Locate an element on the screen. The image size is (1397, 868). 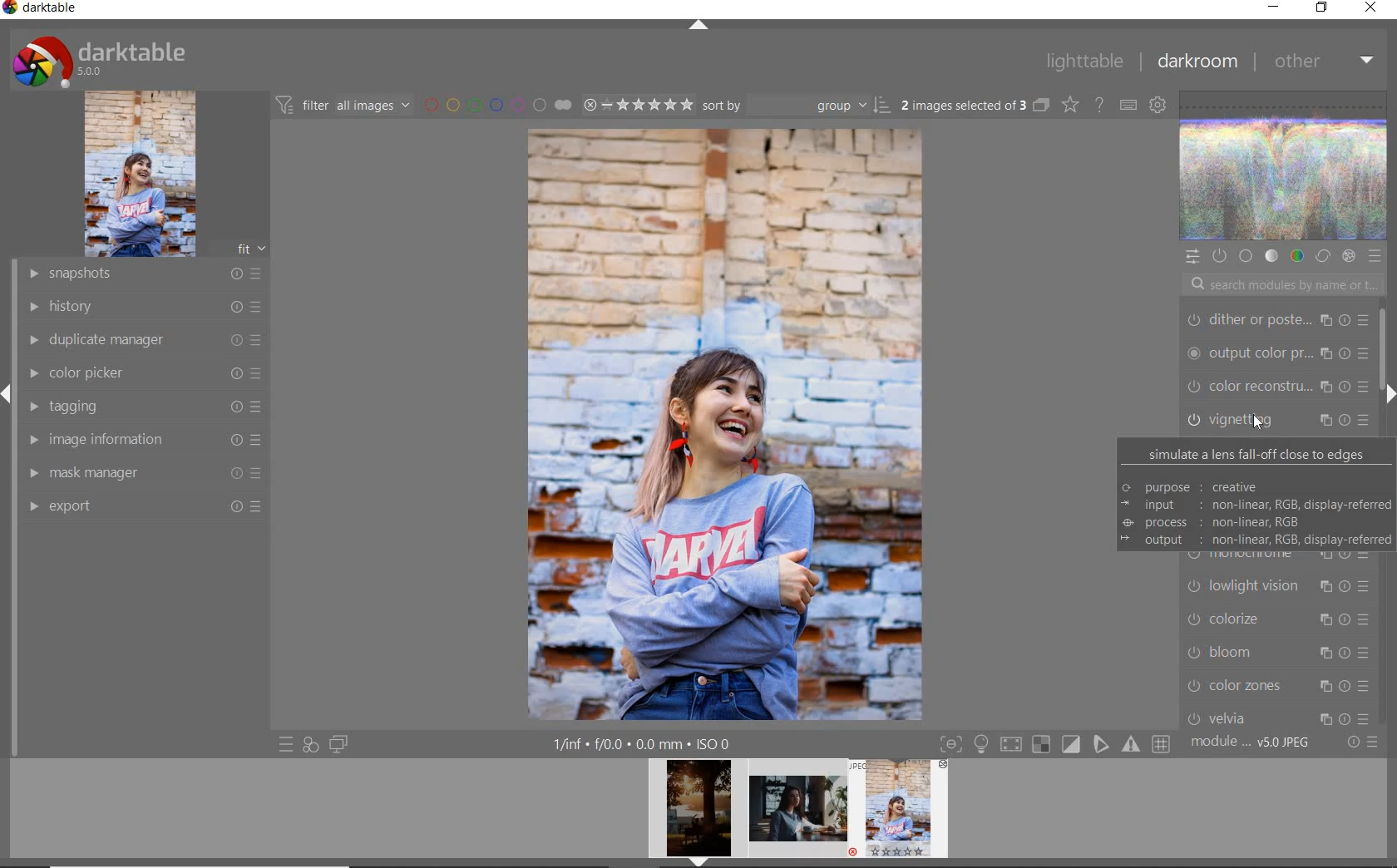
chromatic is located at coordinates (1277, 682).